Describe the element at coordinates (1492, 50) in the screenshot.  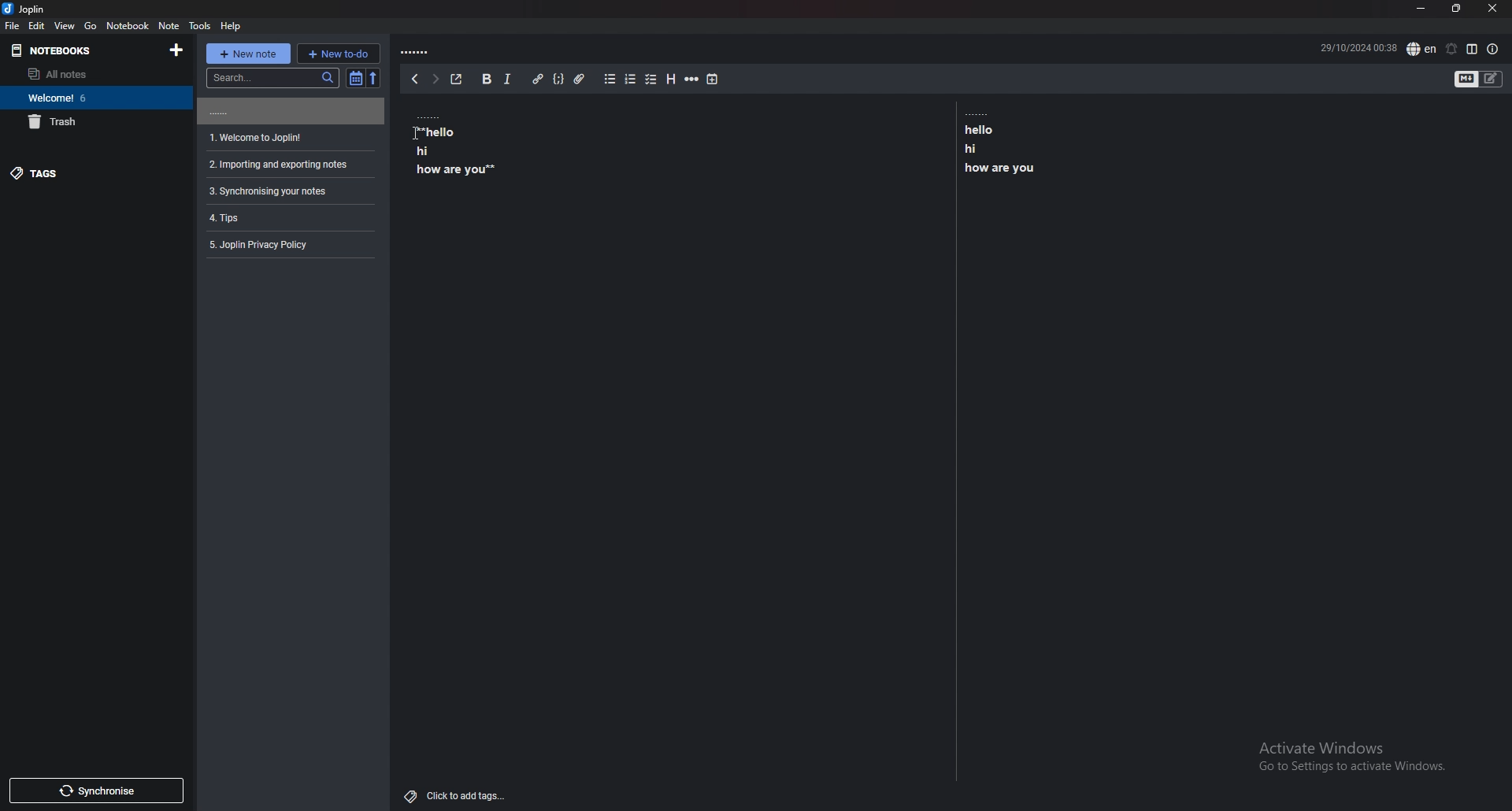
I see `note properties` at that location.